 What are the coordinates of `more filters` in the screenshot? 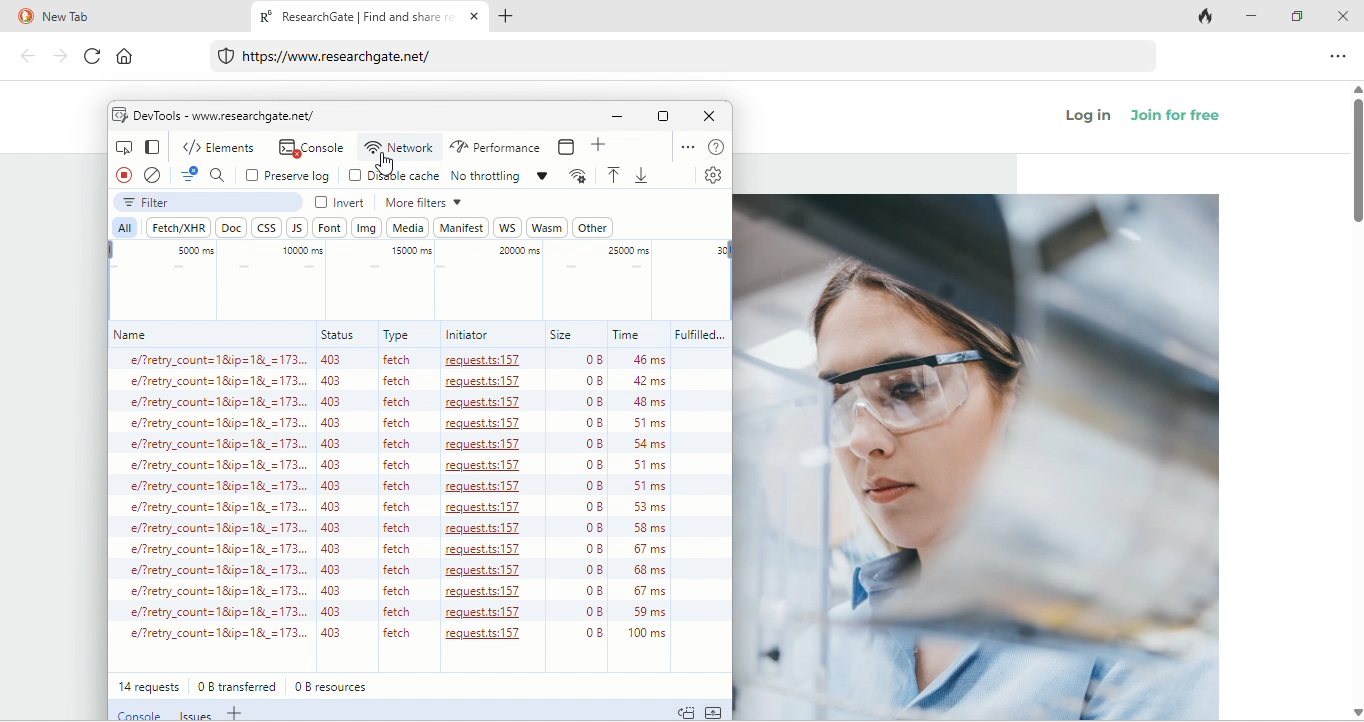 It's located at (422, 202).